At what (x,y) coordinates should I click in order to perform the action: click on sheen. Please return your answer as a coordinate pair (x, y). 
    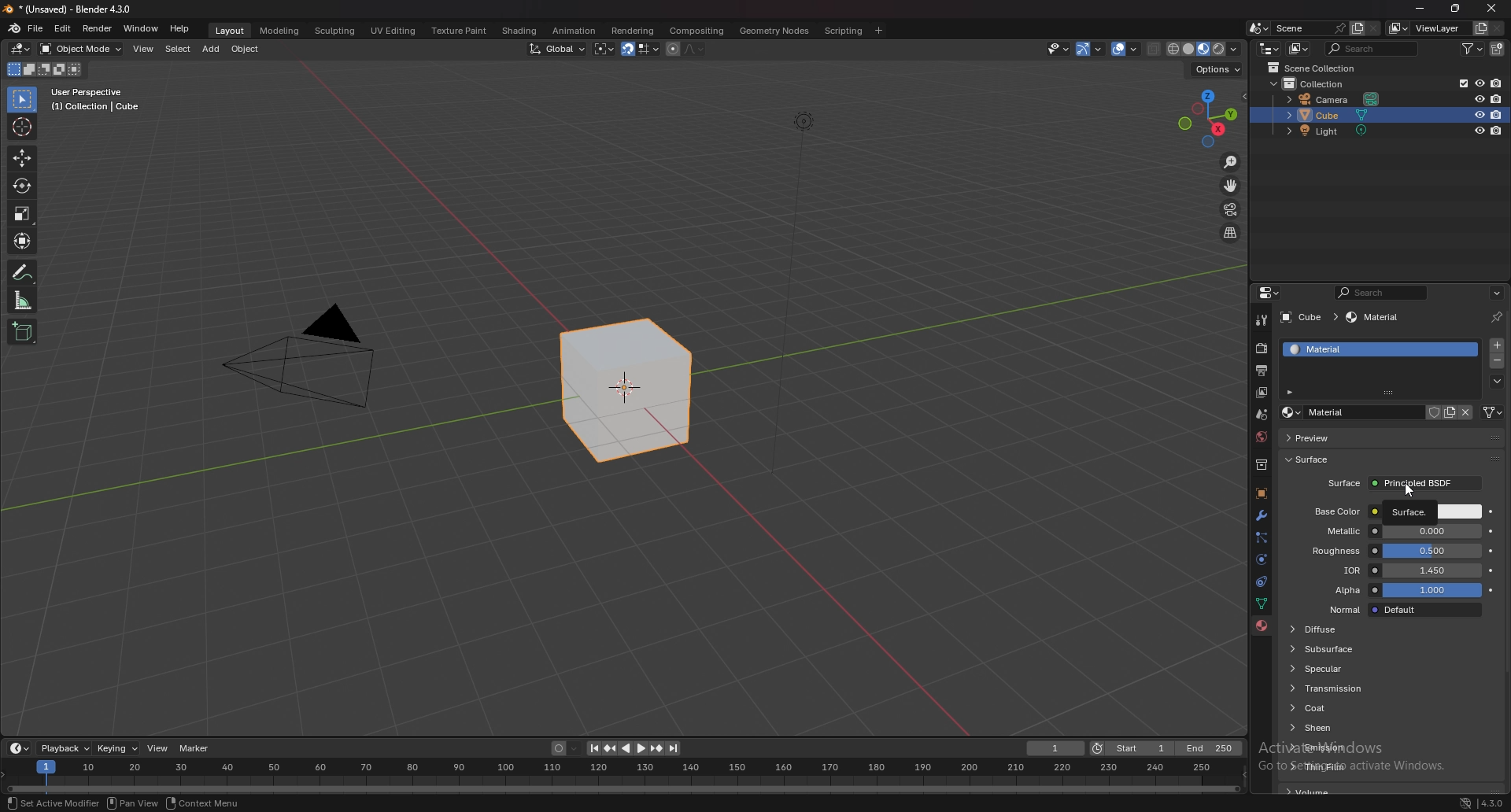
    Looking at the image, I should click on (1348, 727).